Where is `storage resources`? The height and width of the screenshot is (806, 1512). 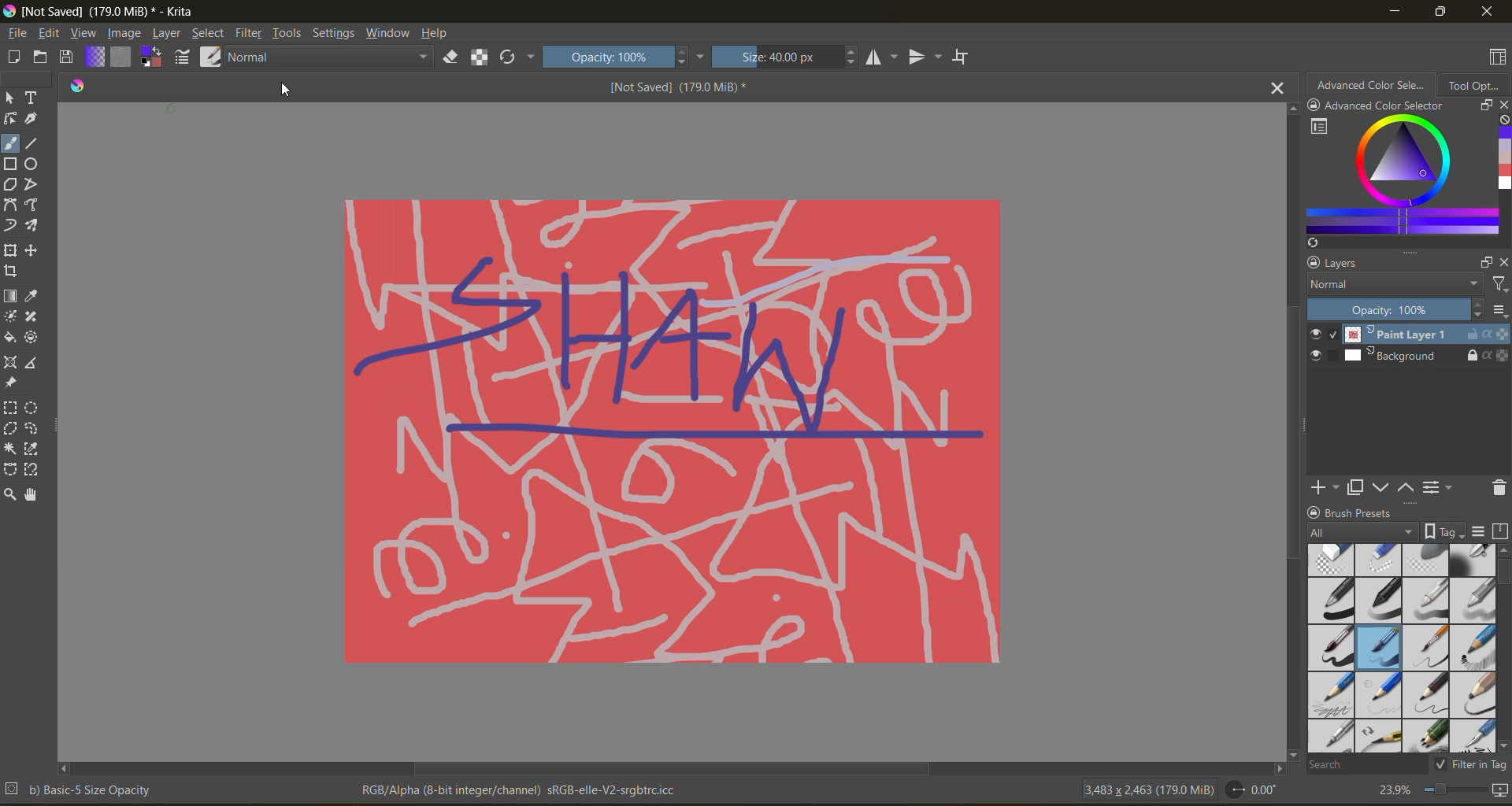
storage resources is located at coordinates (1501, 534).